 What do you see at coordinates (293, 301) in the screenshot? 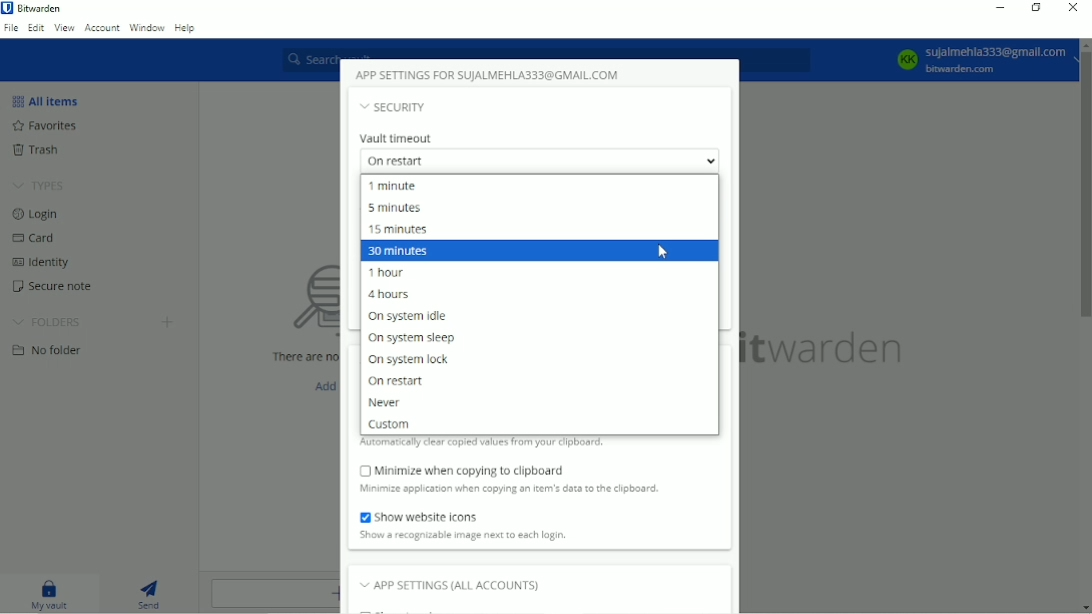
I see `computer icon` at bounding box center [293, 301].